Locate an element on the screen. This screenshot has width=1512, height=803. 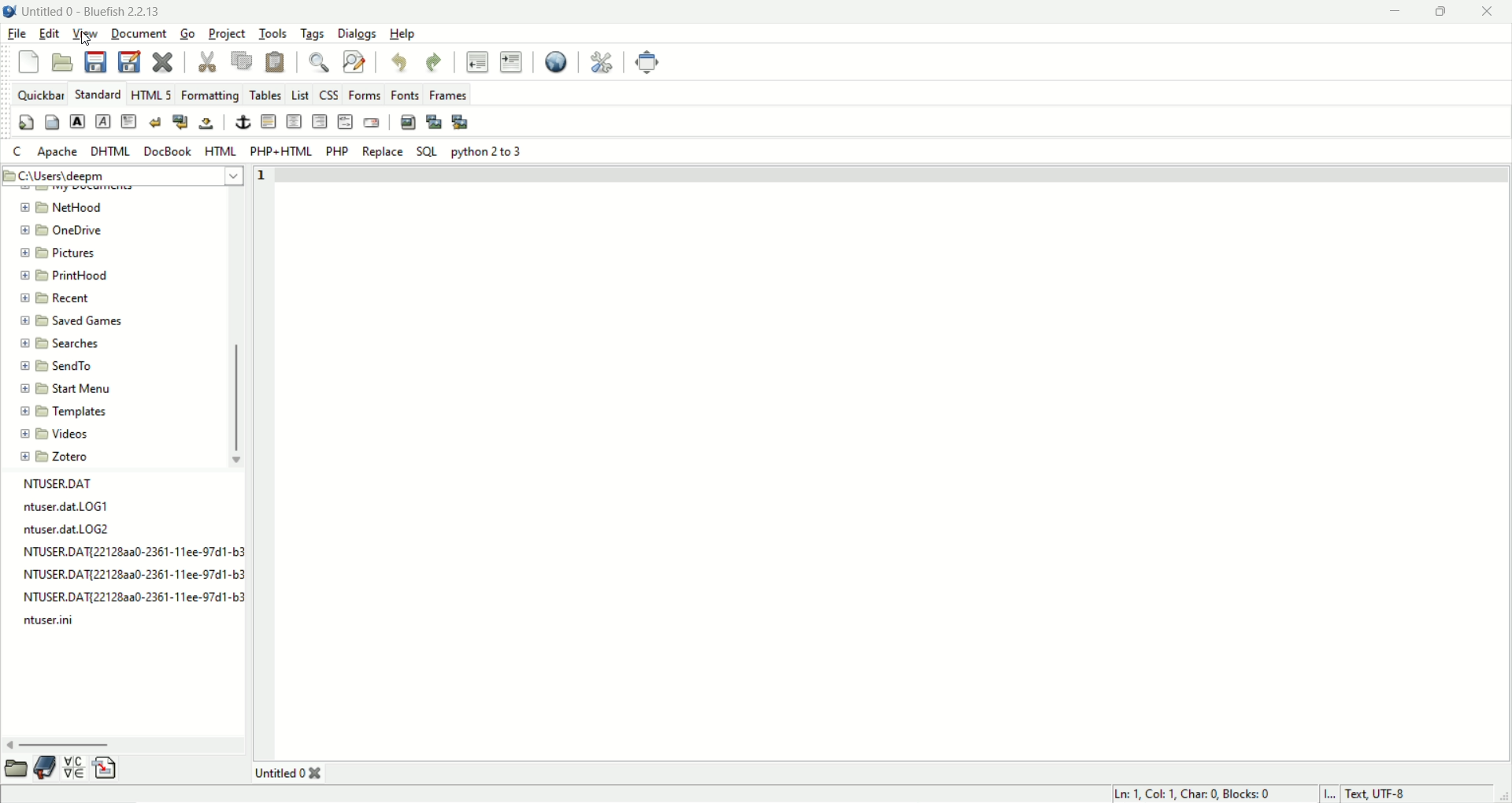
indent is located at coordinates (511, 64).